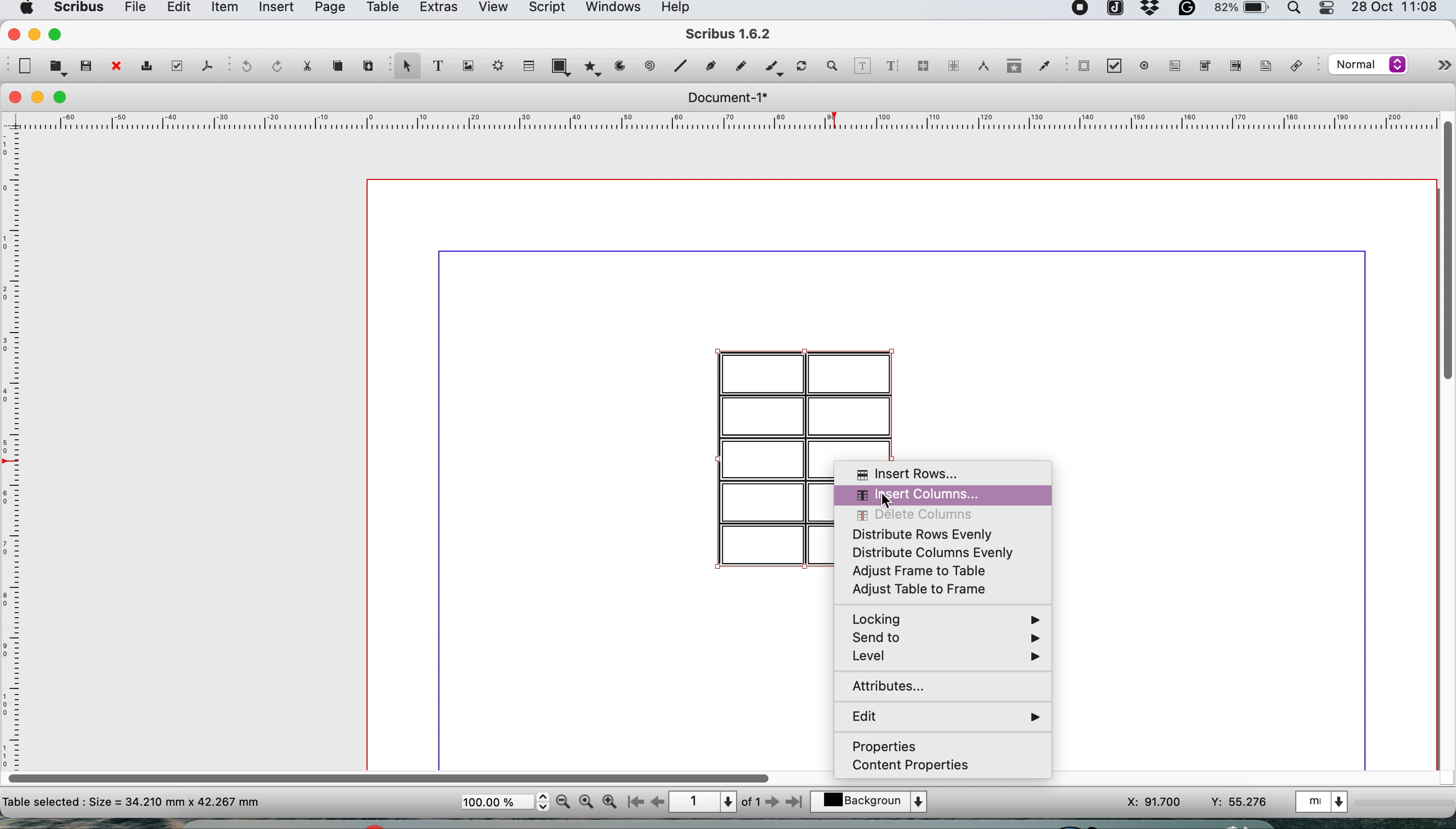  Describe the element at coordinates (980, 66) in the screenshot. I see `measurements` at that location.